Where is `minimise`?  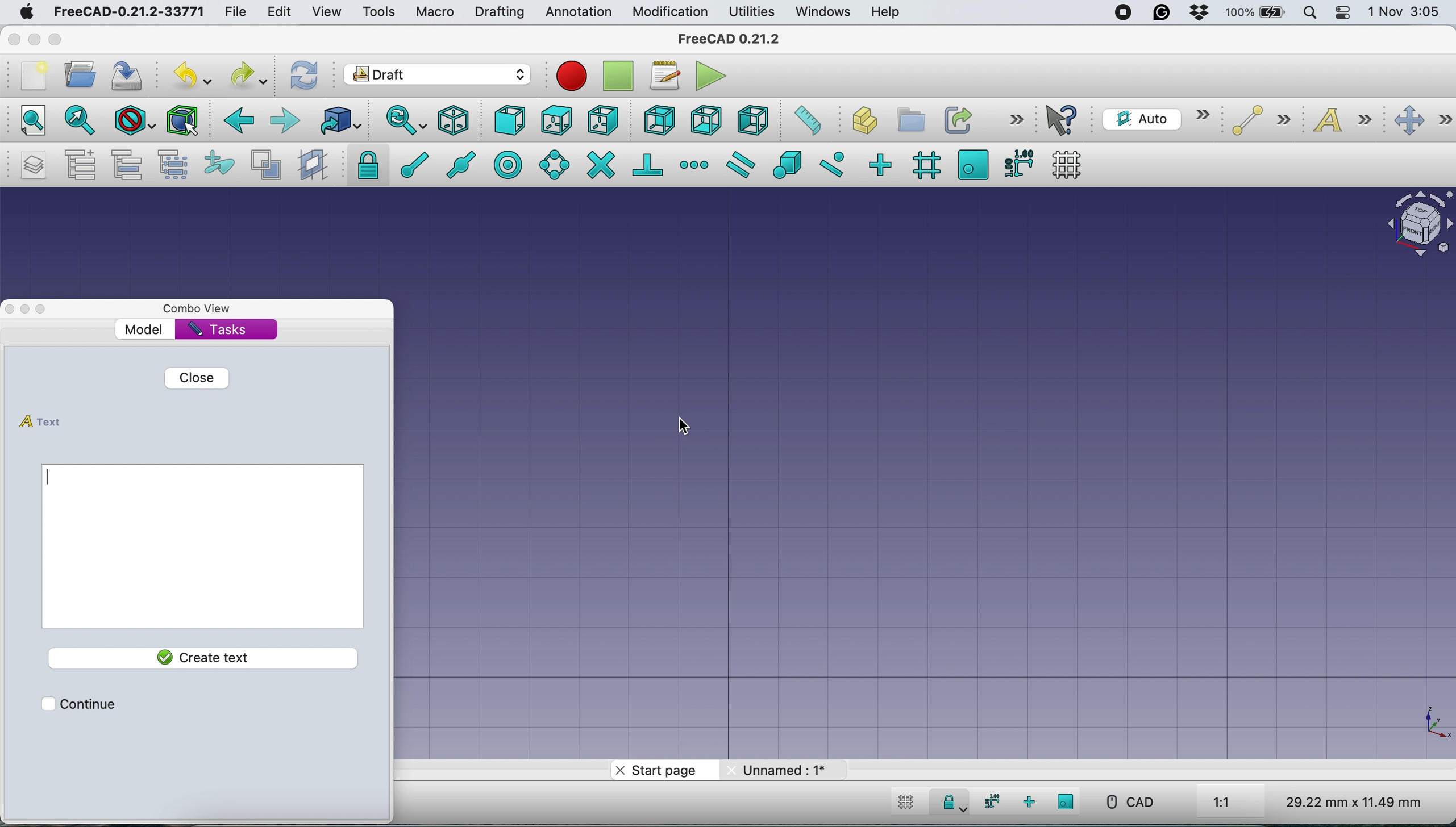 minimise is located at coordinates (34, 40).